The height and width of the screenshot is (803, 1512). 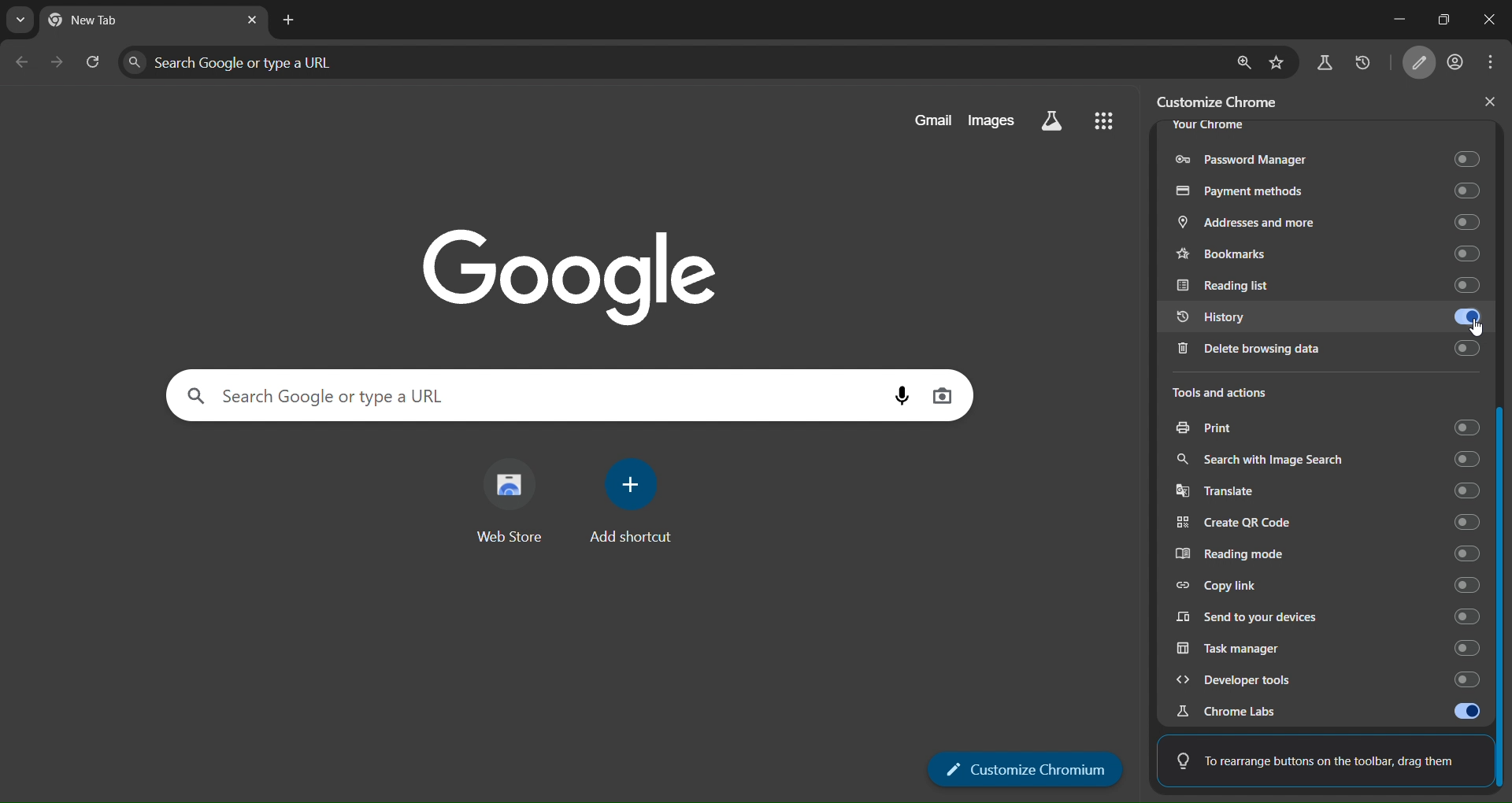 What do you see at coordinates (634, 501) in the screenshot?
I see `add shortcut` at bounding box center [634, 501].